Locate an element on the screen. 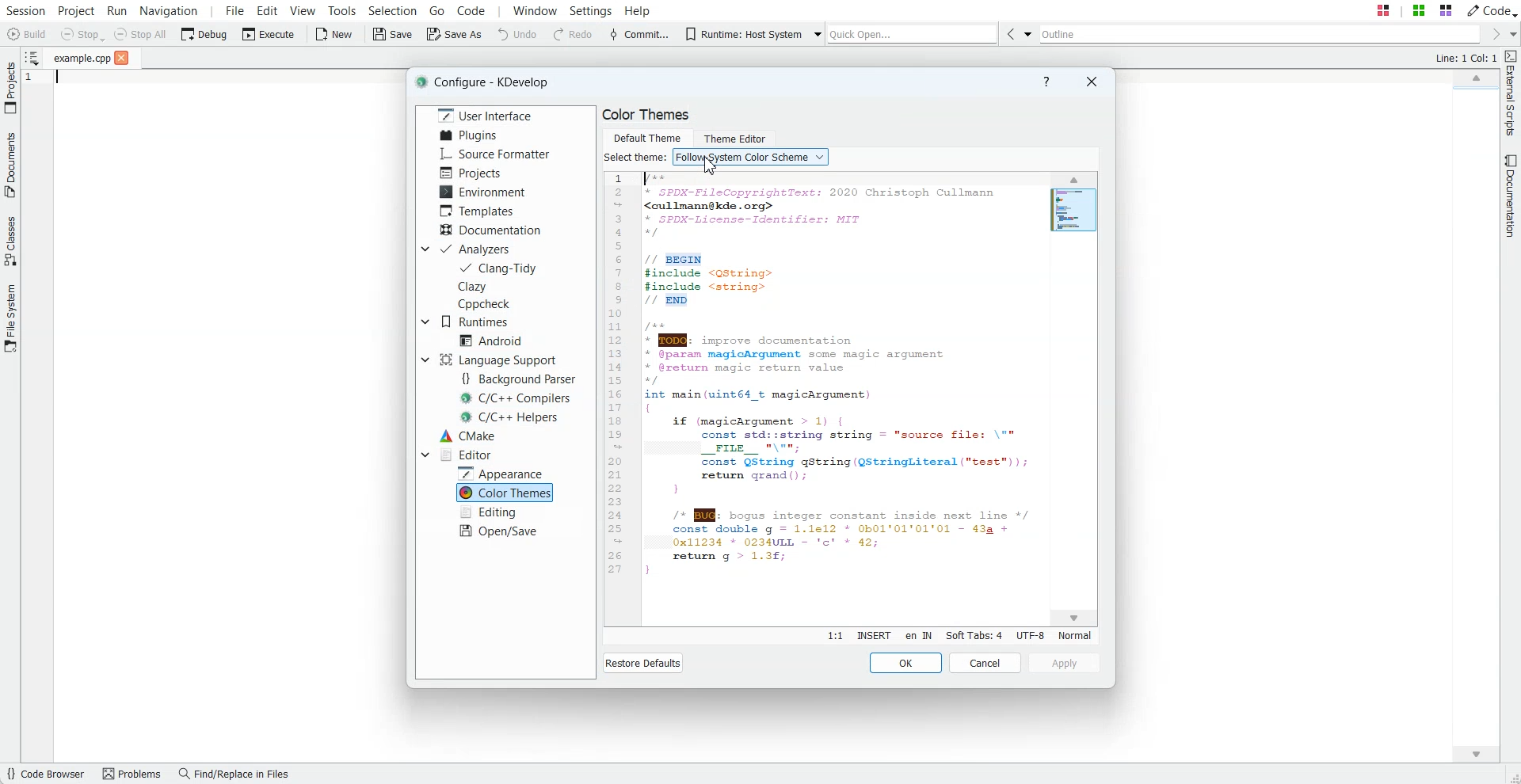 Image resolution: width=1521 pixels, height=784 pixels. Build is located at coordinates (25, 34).